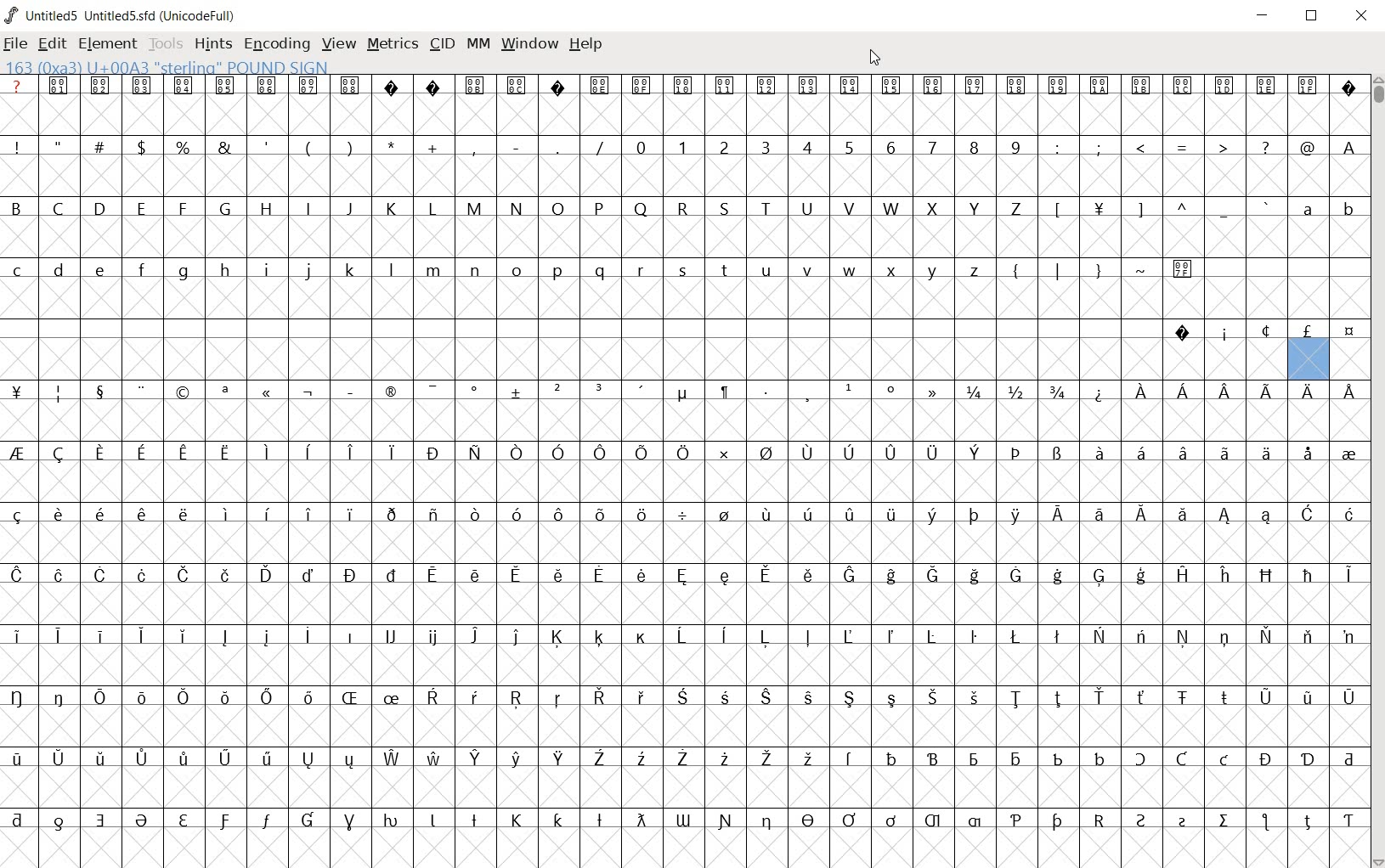 This screenshot has width=1385, height=868. I want to click on o, so click(517, 272).